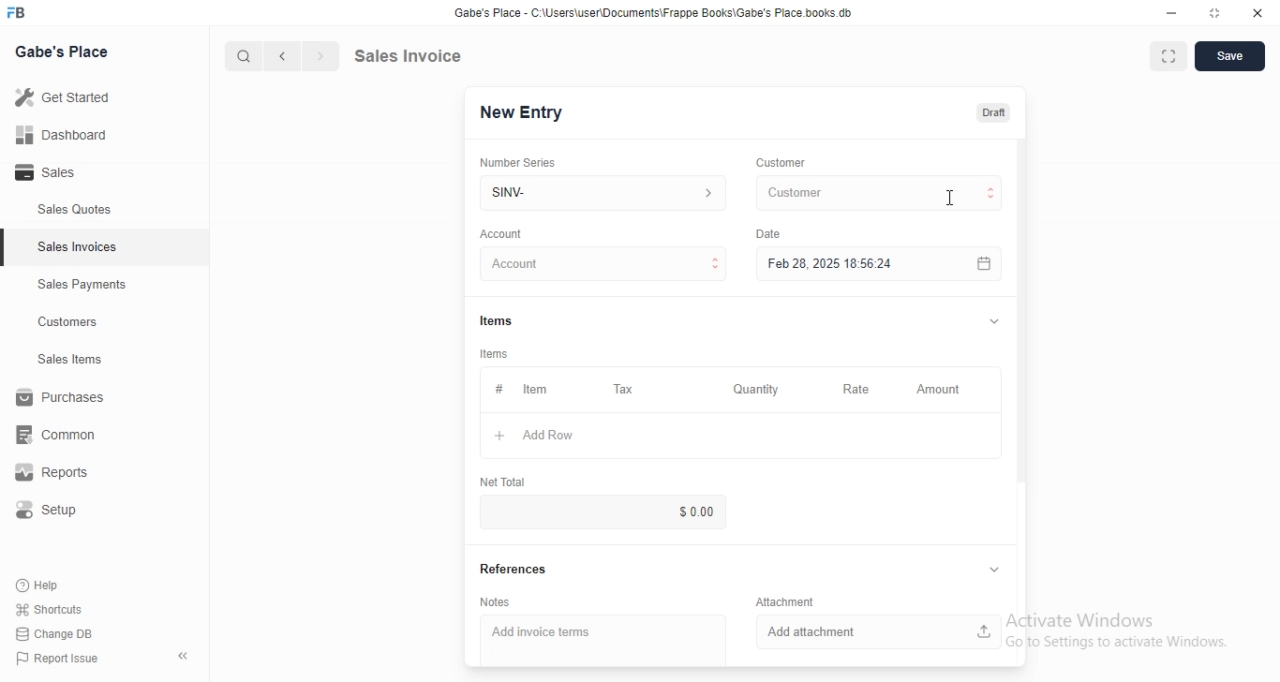 This screenshot has height=682, width=1280. What do you see at coordinates (77, 285) in the screenshot?
I see `Sales Payments` at bounding box center [77, 285].